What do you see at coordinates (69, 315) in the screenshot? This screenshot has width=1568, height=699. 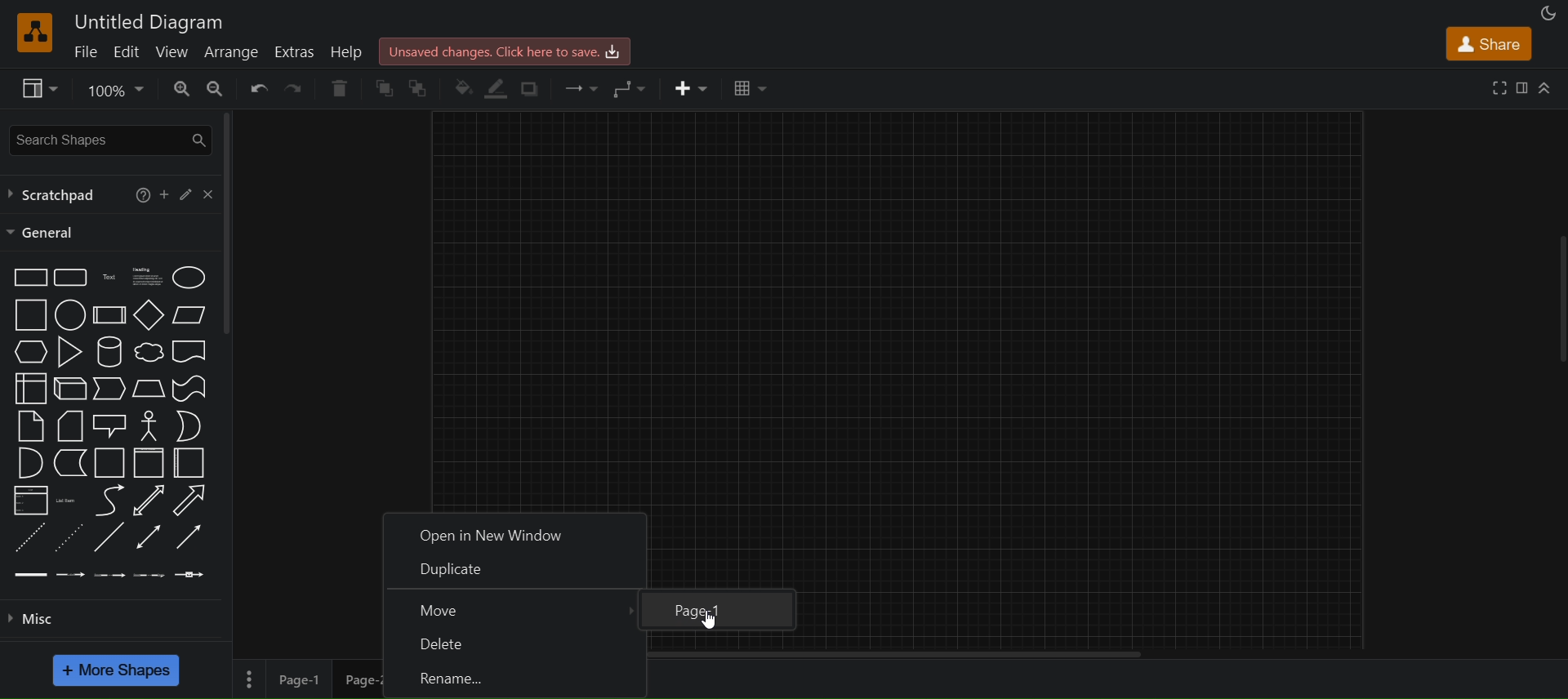 I see `circle` at bounding box center [69, 315].